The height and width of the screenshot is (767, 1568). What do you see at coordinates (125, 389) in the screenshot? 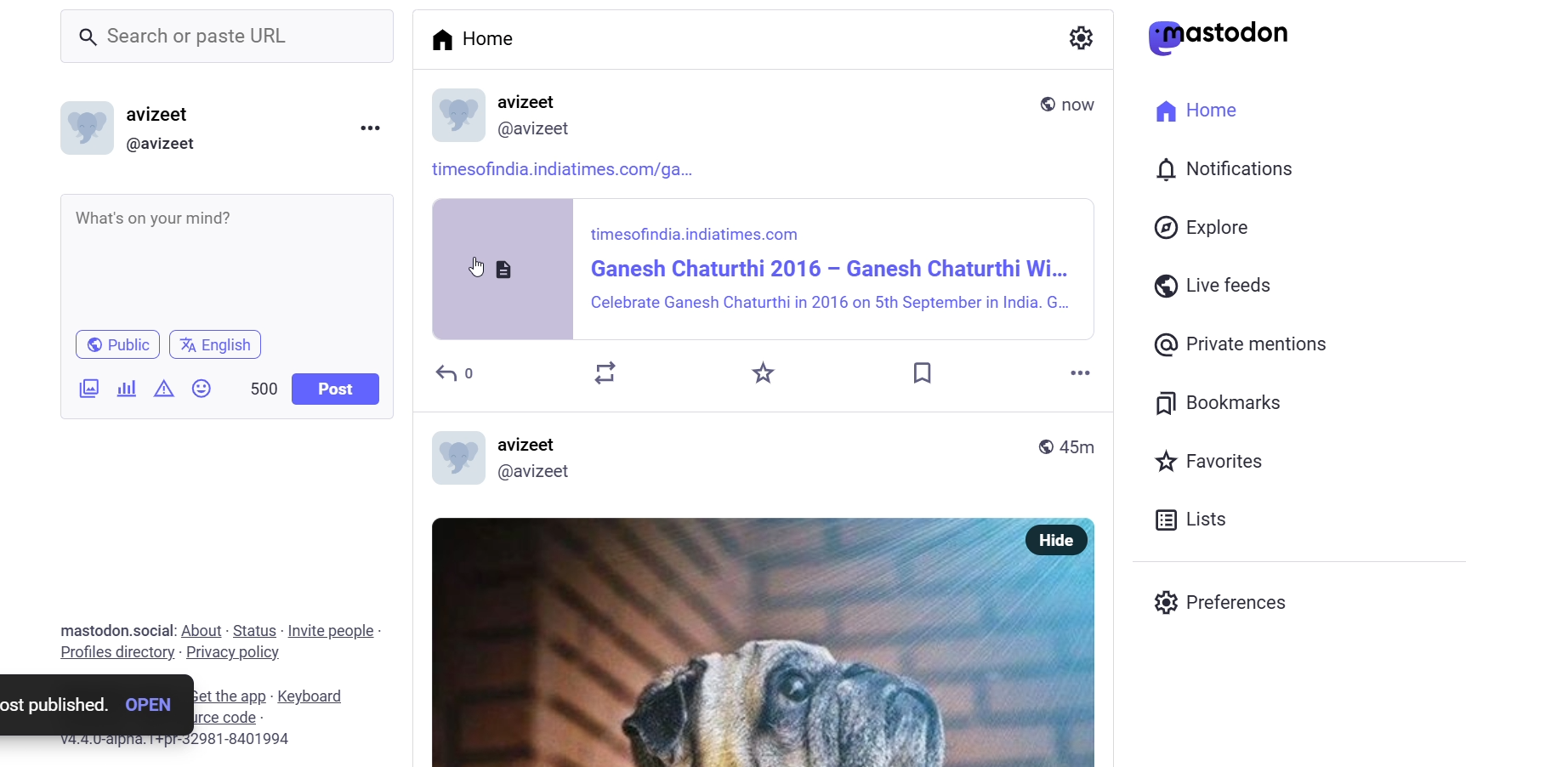
I see `poll` at bounding box center [125, 389].